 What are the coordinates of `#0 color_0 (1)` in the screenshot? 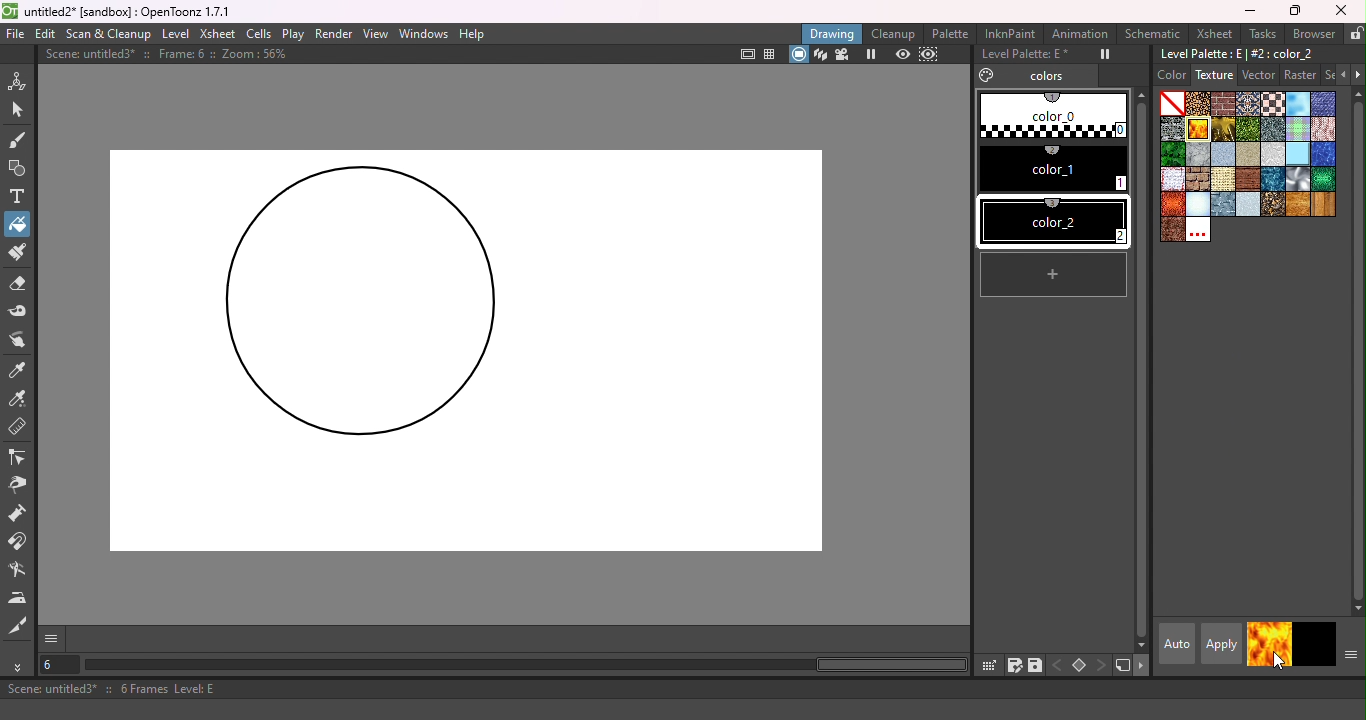 It's located at (1051, 114).